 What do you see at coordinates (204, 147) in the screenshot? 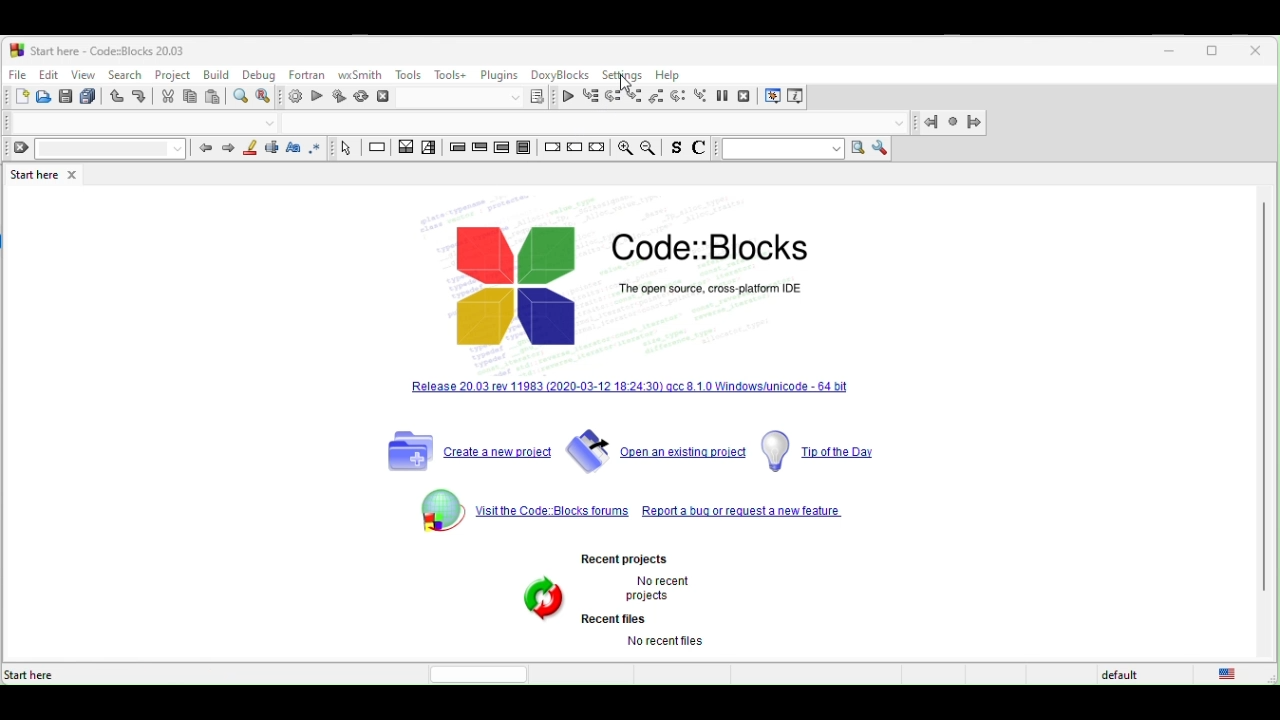
I see `prev` at bounding box center [204, 147].